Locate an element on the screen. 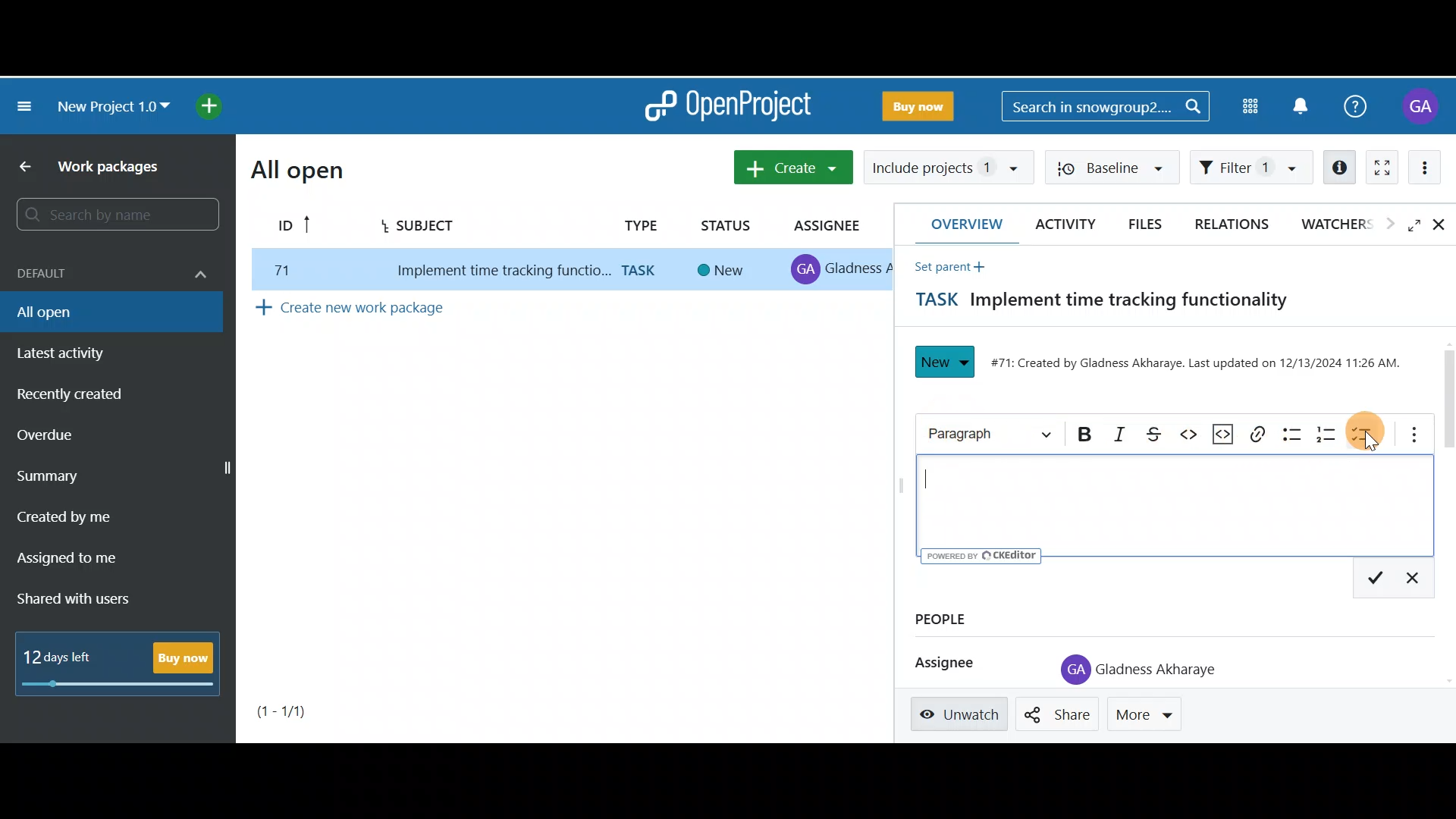 Image resolution: width=1456 pixels, height=819 pixels. profile icon is located at coordinates (807, 270).